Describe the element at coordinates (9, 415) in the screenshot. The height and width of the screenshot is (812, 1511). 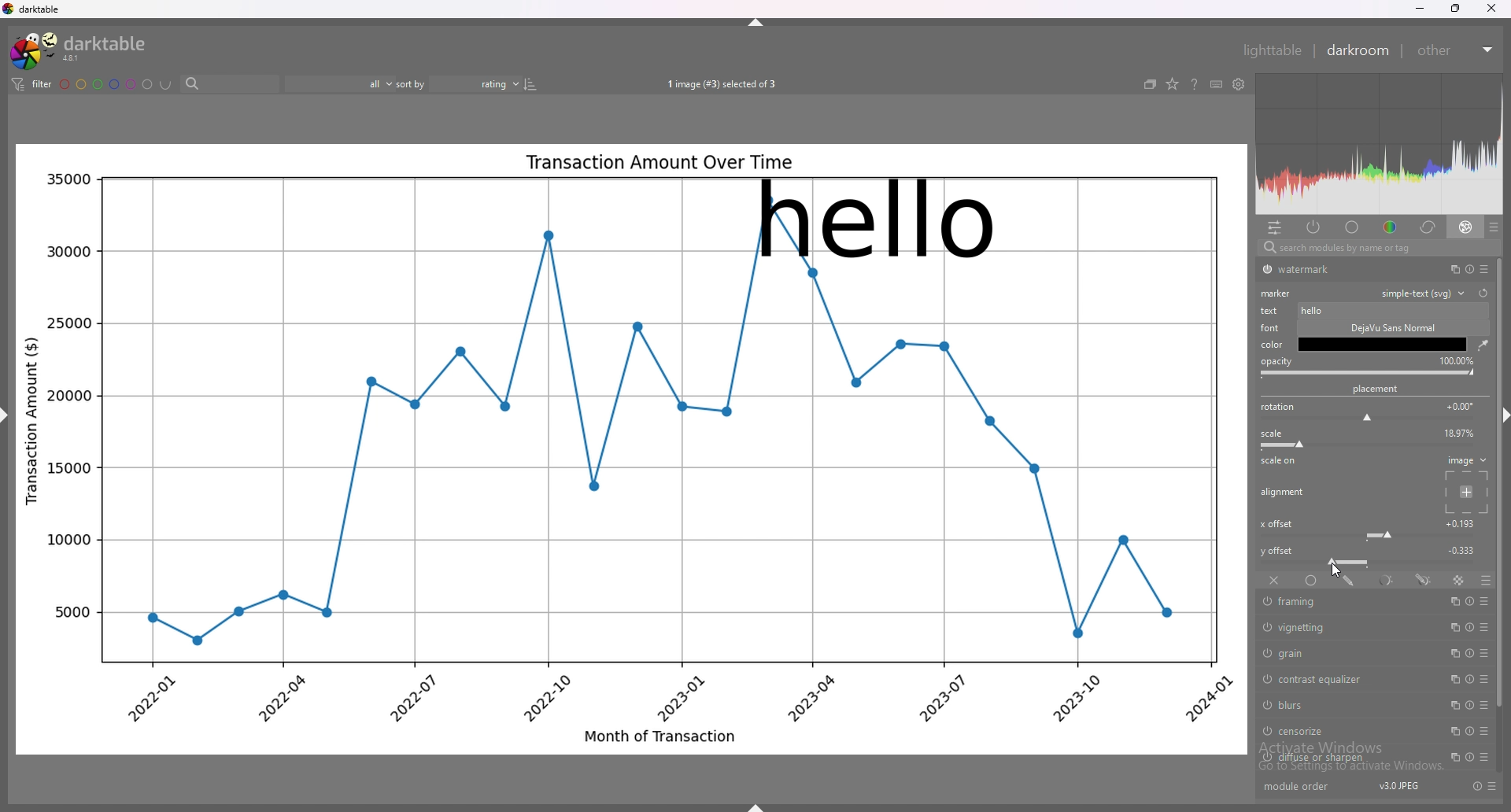
I see `hide` at that location.